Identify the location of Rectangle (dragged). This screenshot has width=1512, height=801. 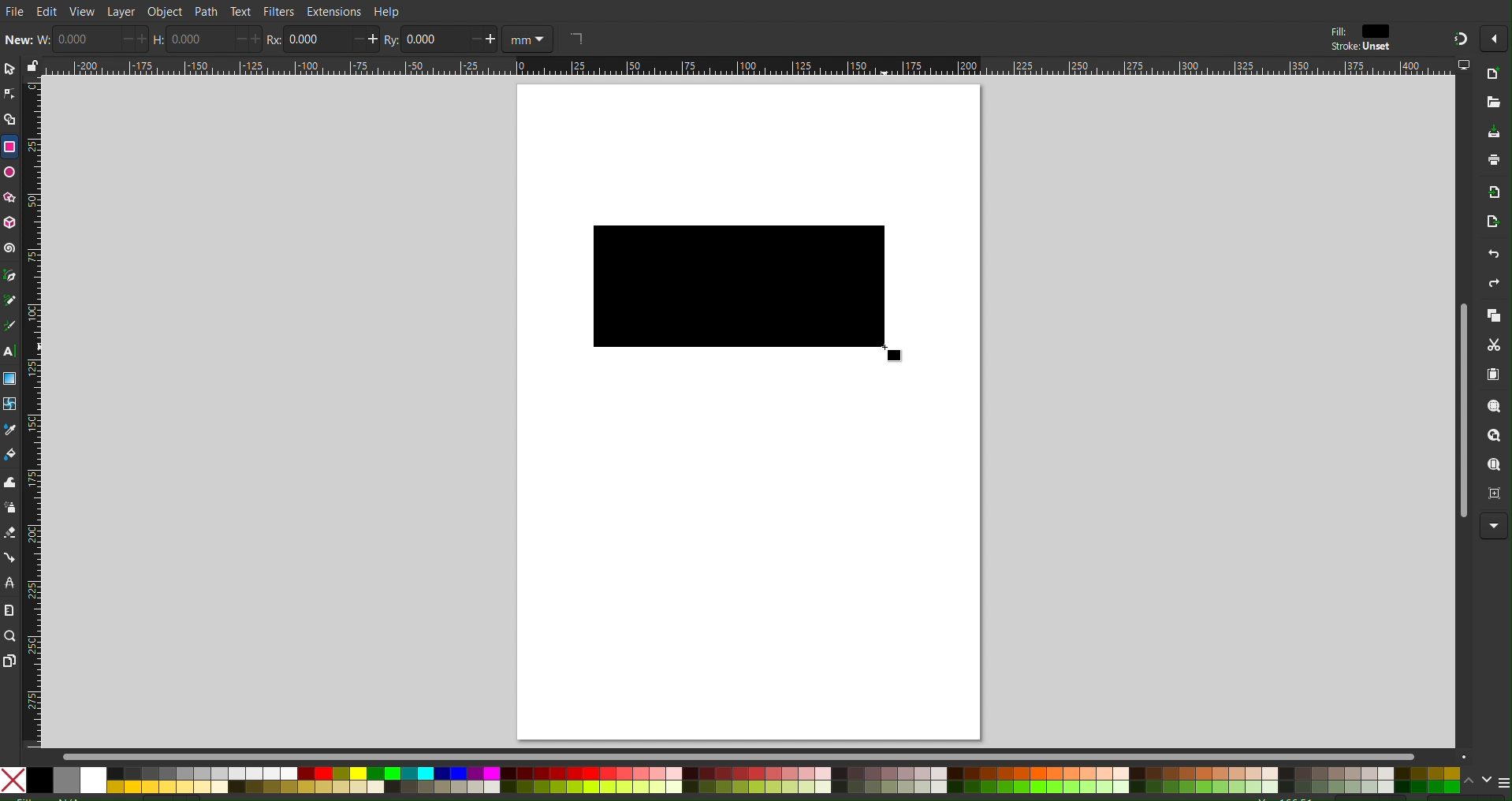
(749, 291).